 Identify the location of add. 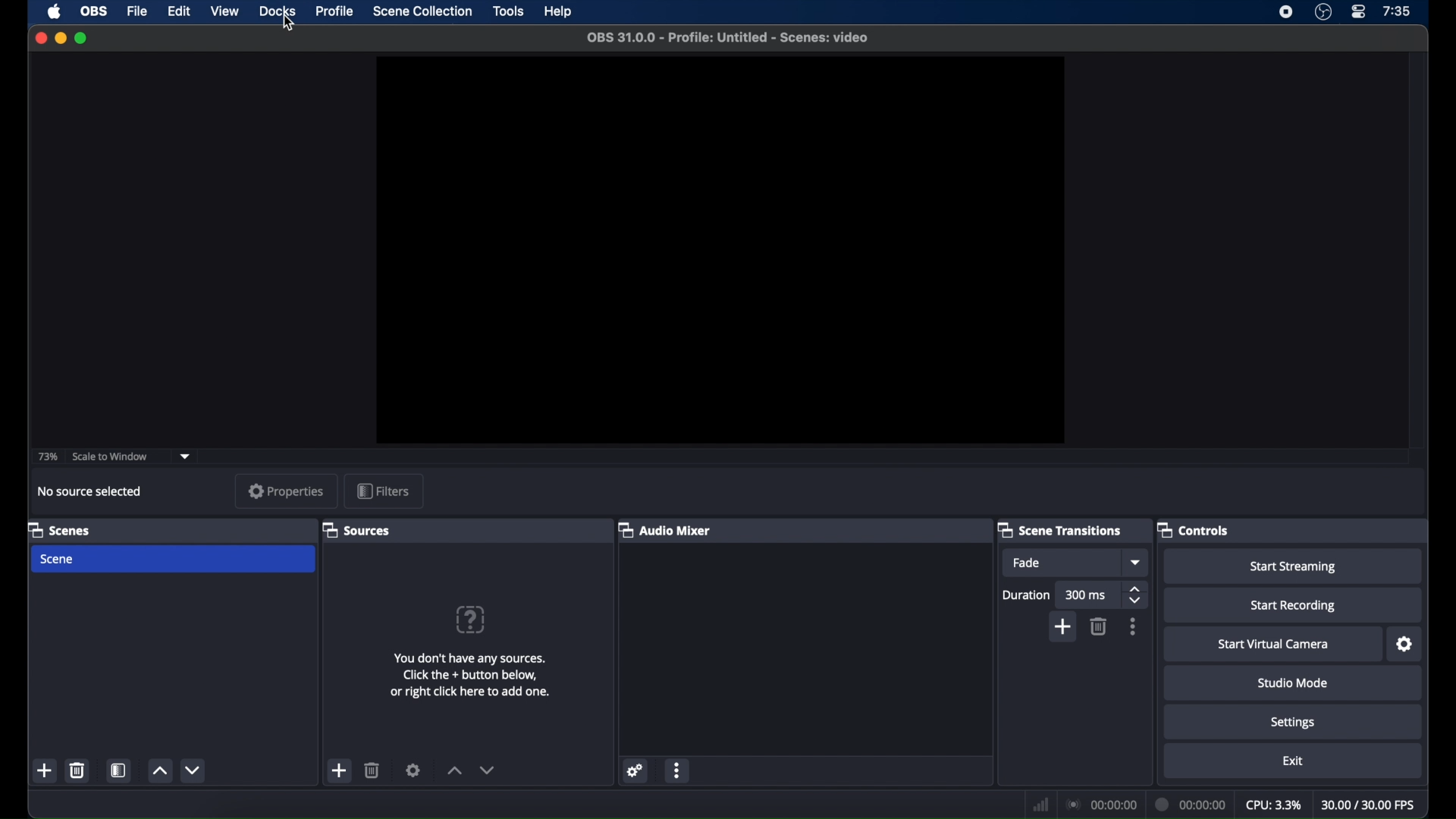
(1063, 628).